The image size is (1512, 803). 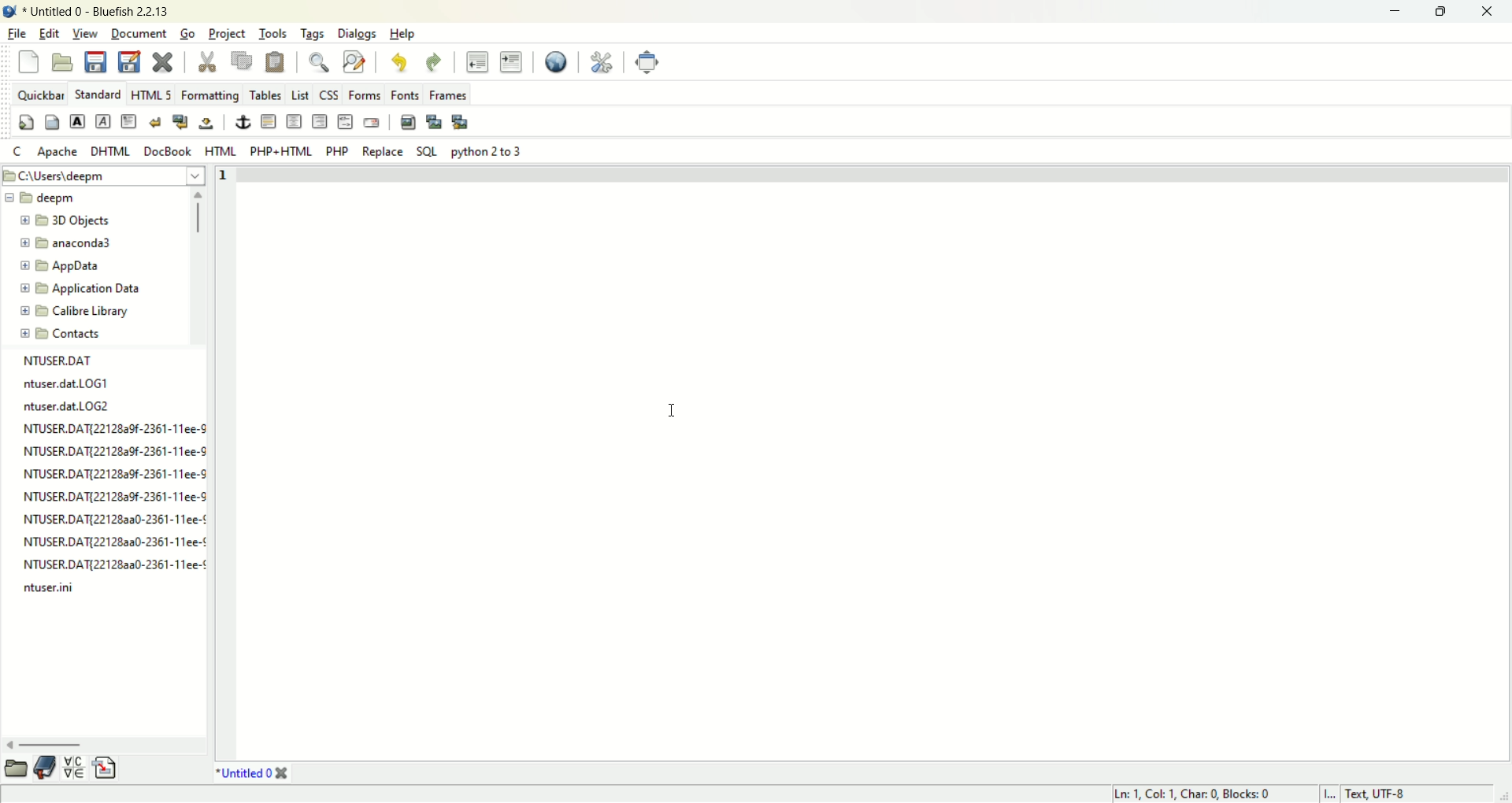 What do you see at coordinates (282, 775) in the screenshot?
I see `close` at bounding box center [282, 775].